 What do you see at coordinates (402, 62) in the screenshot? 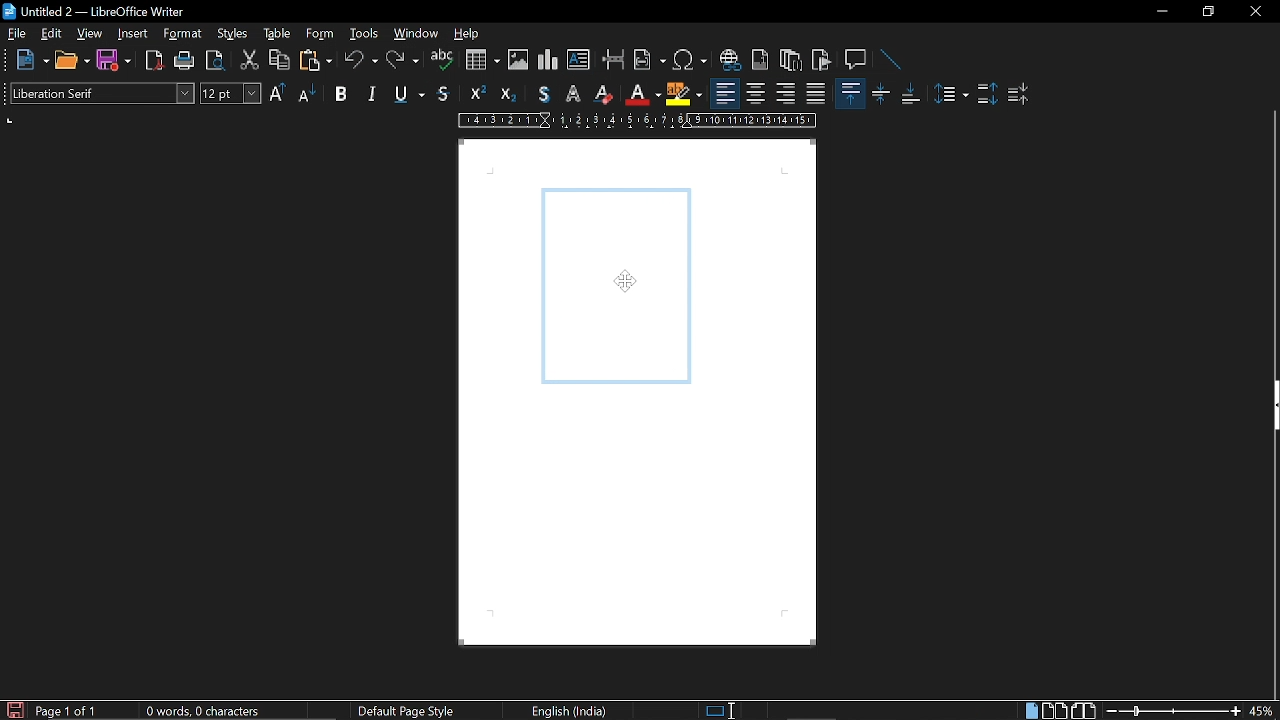
I see `redo` at bounding box center [402, 62].